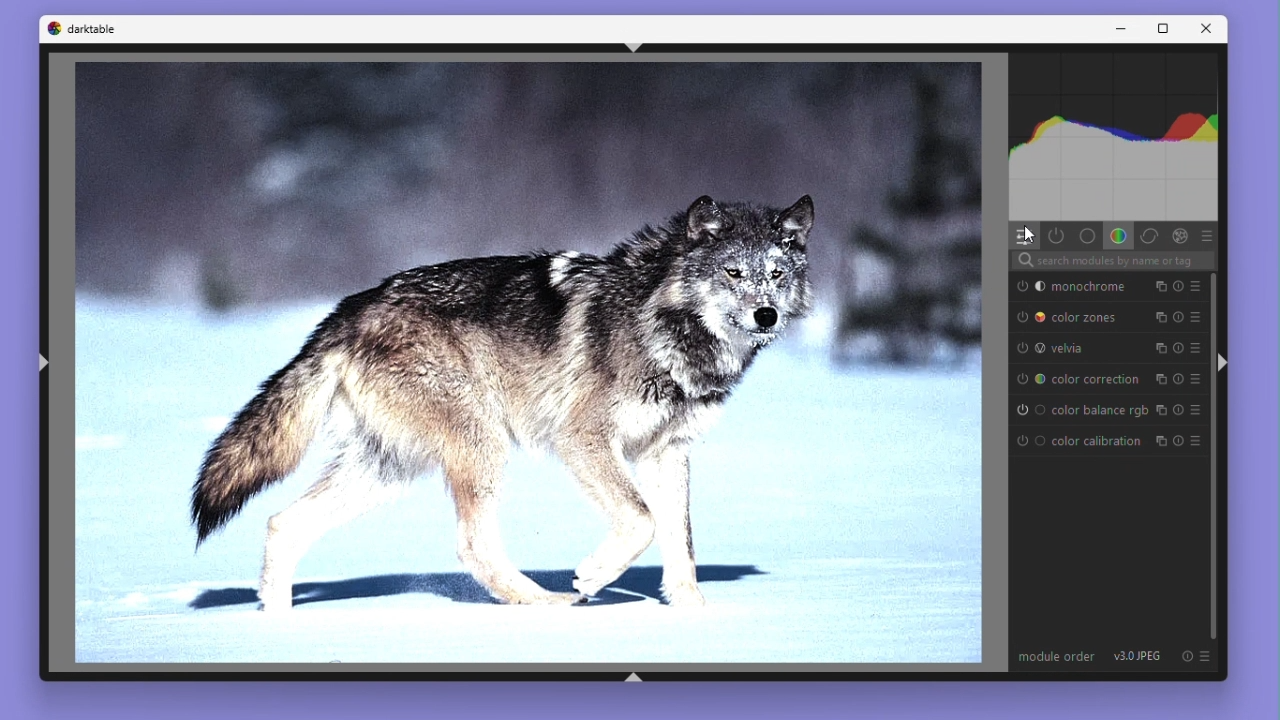 The width and height of the screenshot is (1280, 720). I want to click on darktable logo, so click(81, 30).